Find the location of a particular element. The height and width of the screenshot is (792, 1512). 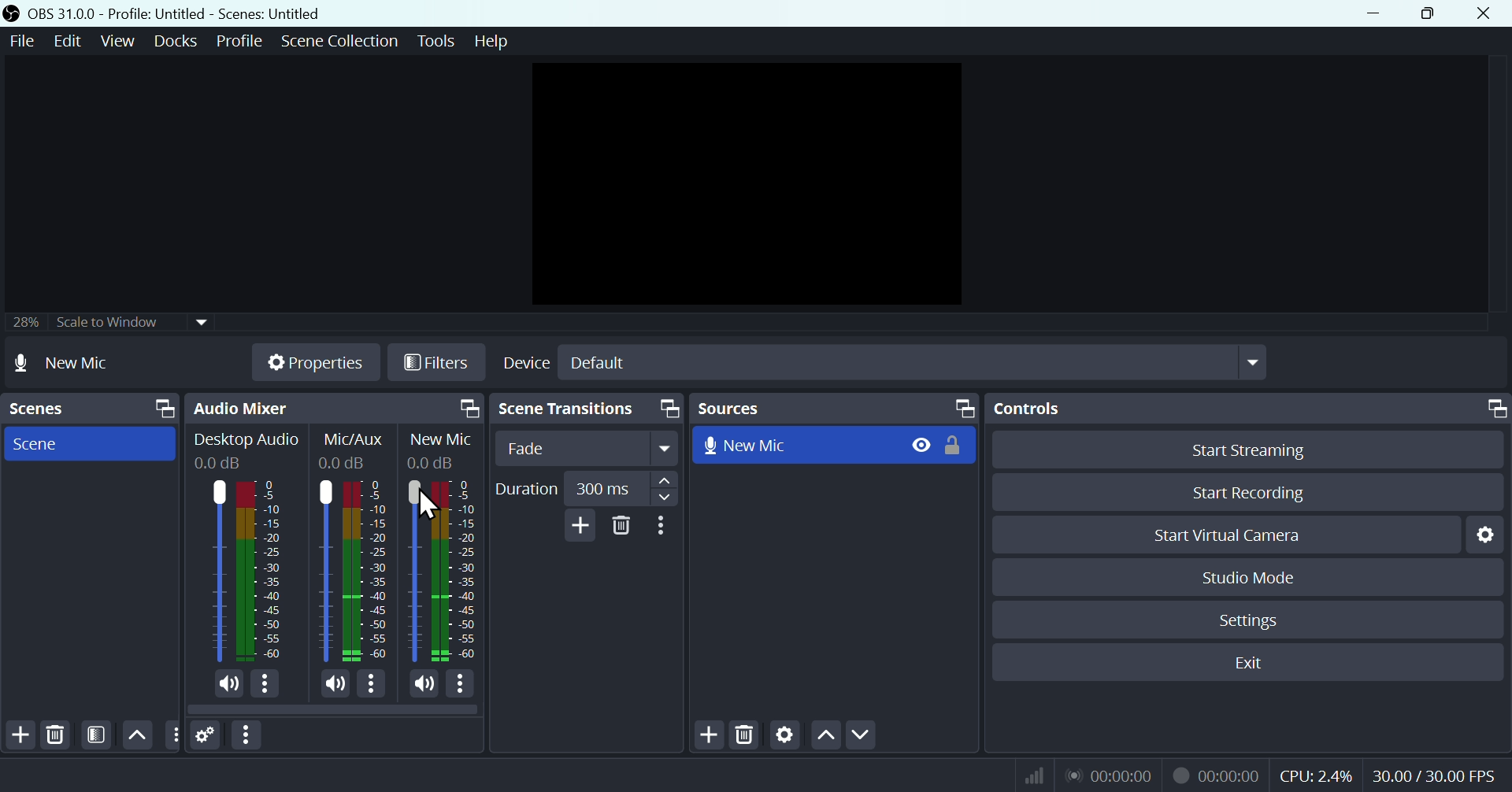

Down is located at coordinates (861, 736).